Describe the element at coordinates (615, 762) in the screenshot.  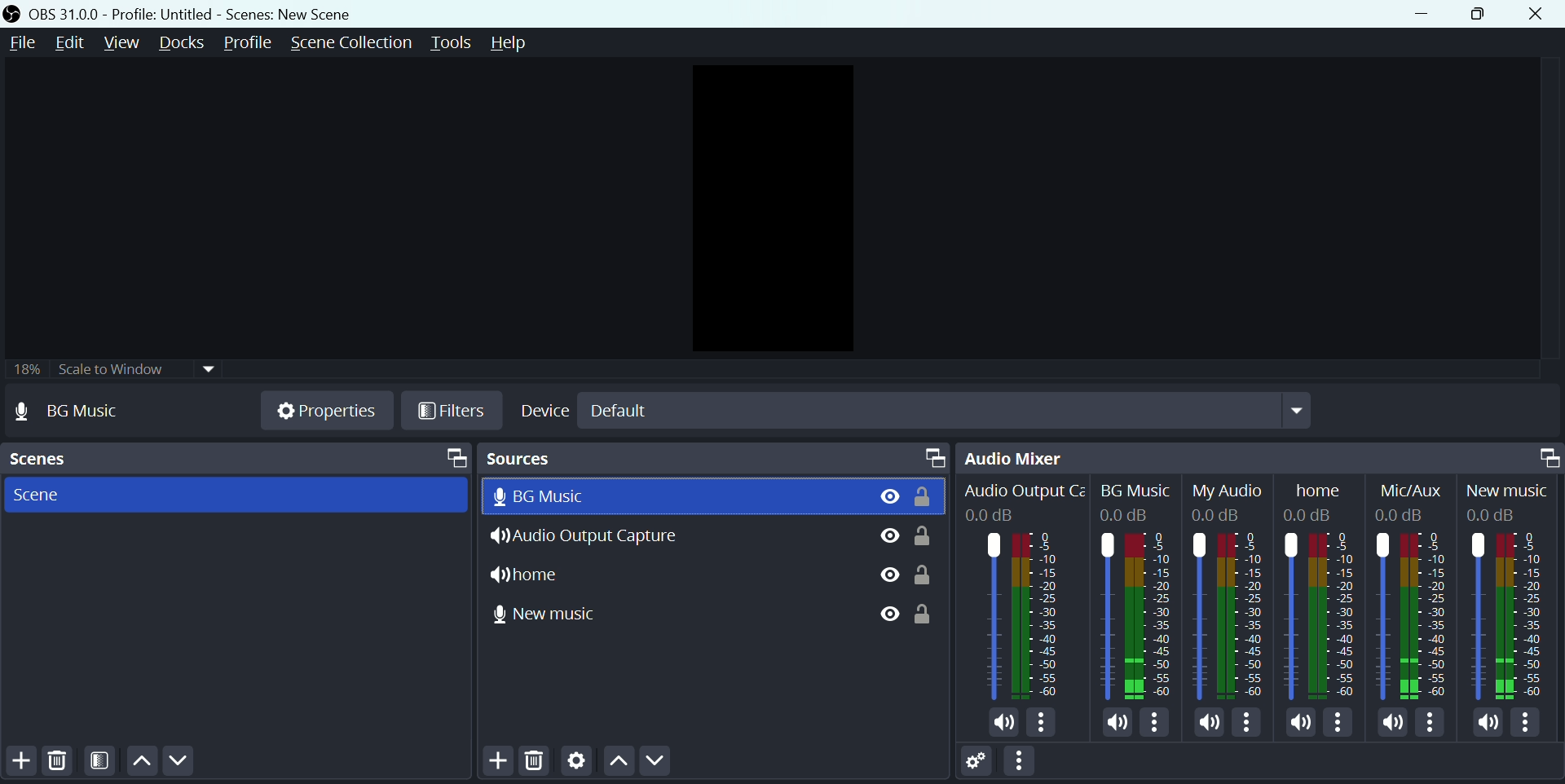
I see `Up` at that location.